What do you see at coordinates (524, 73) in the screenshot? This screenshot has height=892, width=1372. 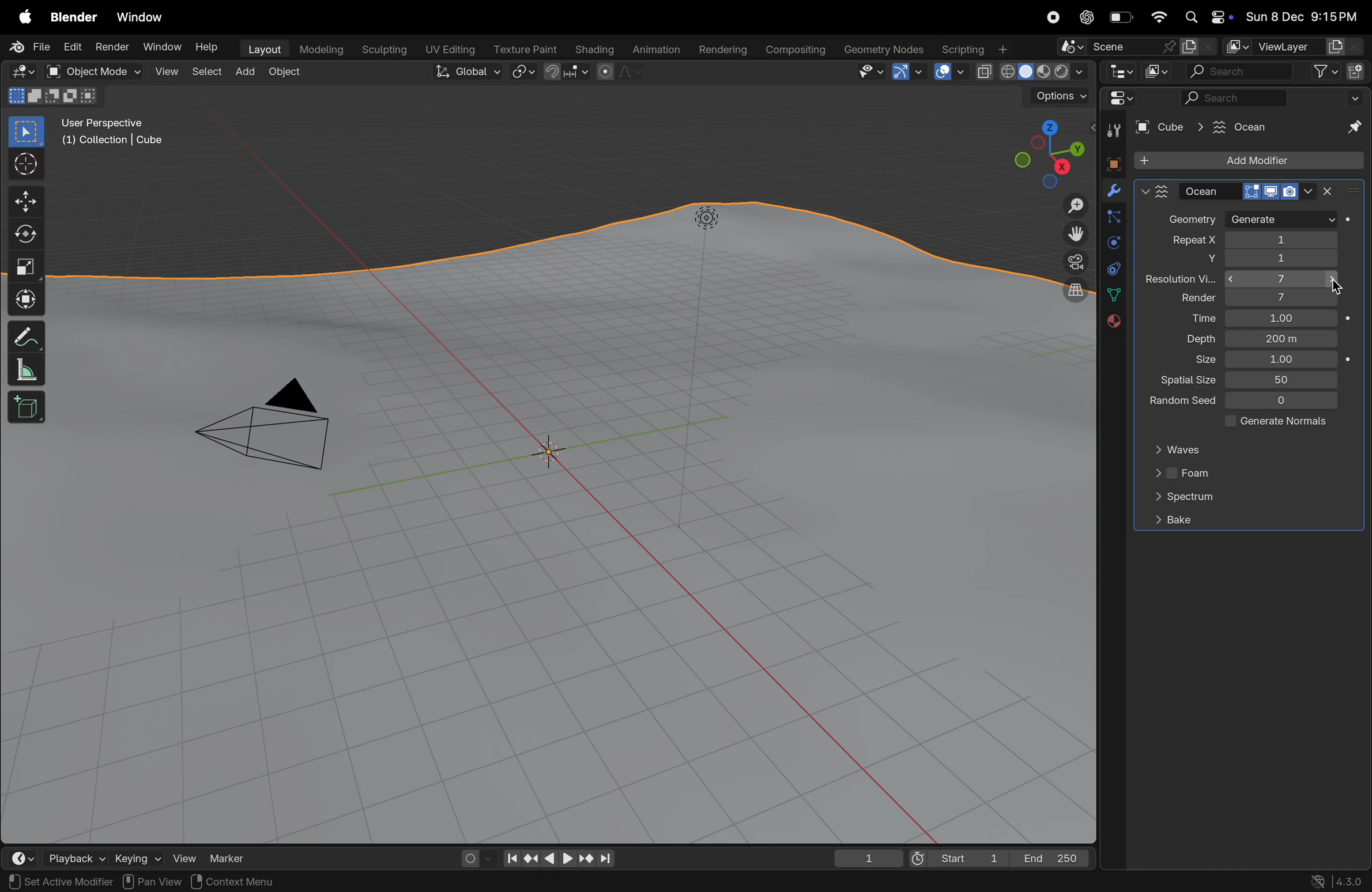 I see `transform pivoit point` at bounding box center [524, 73].